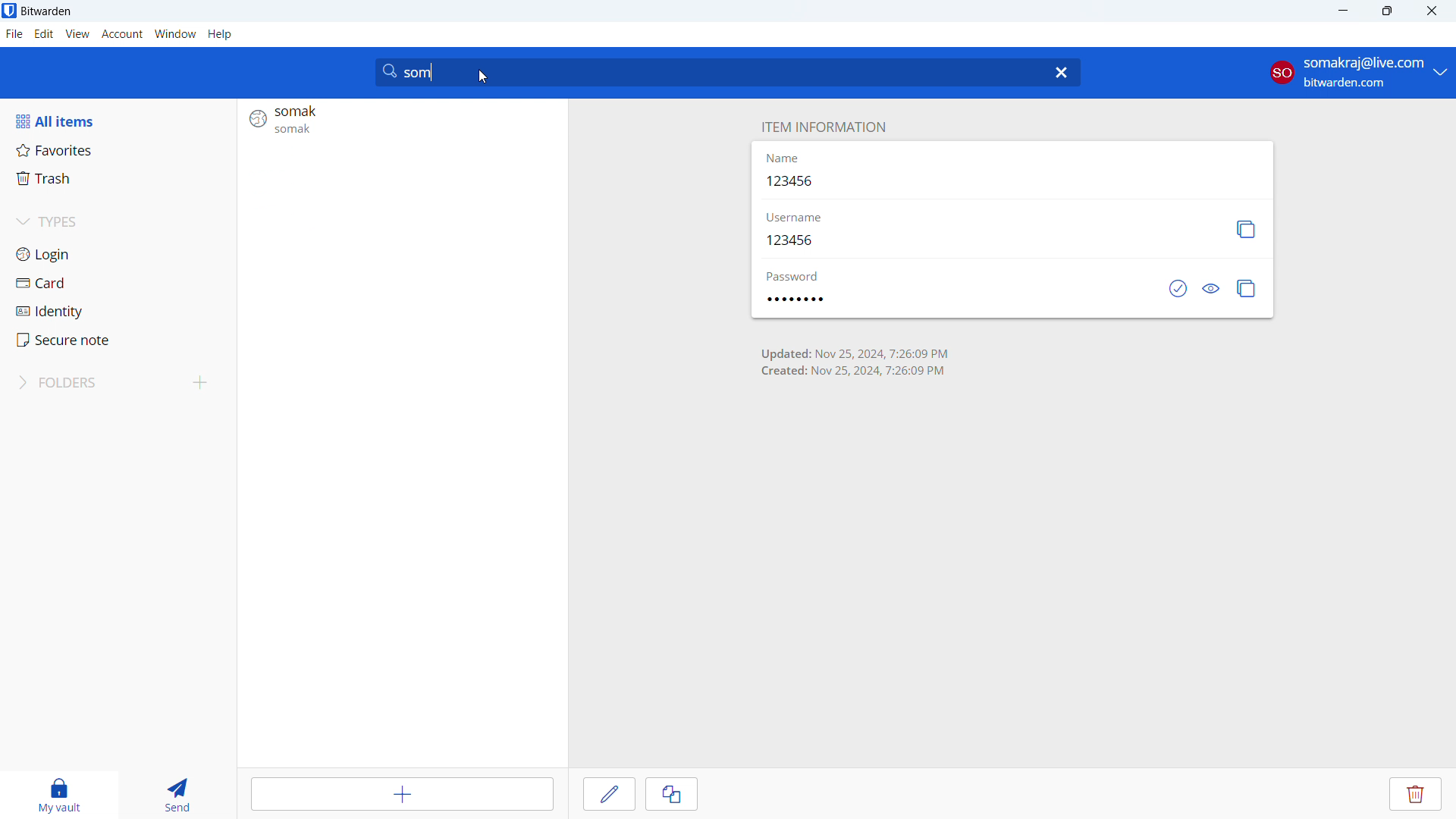 Image resolution: width=1456 pixels, height=819 pixels. I want to click on identity, so click(117, 310).